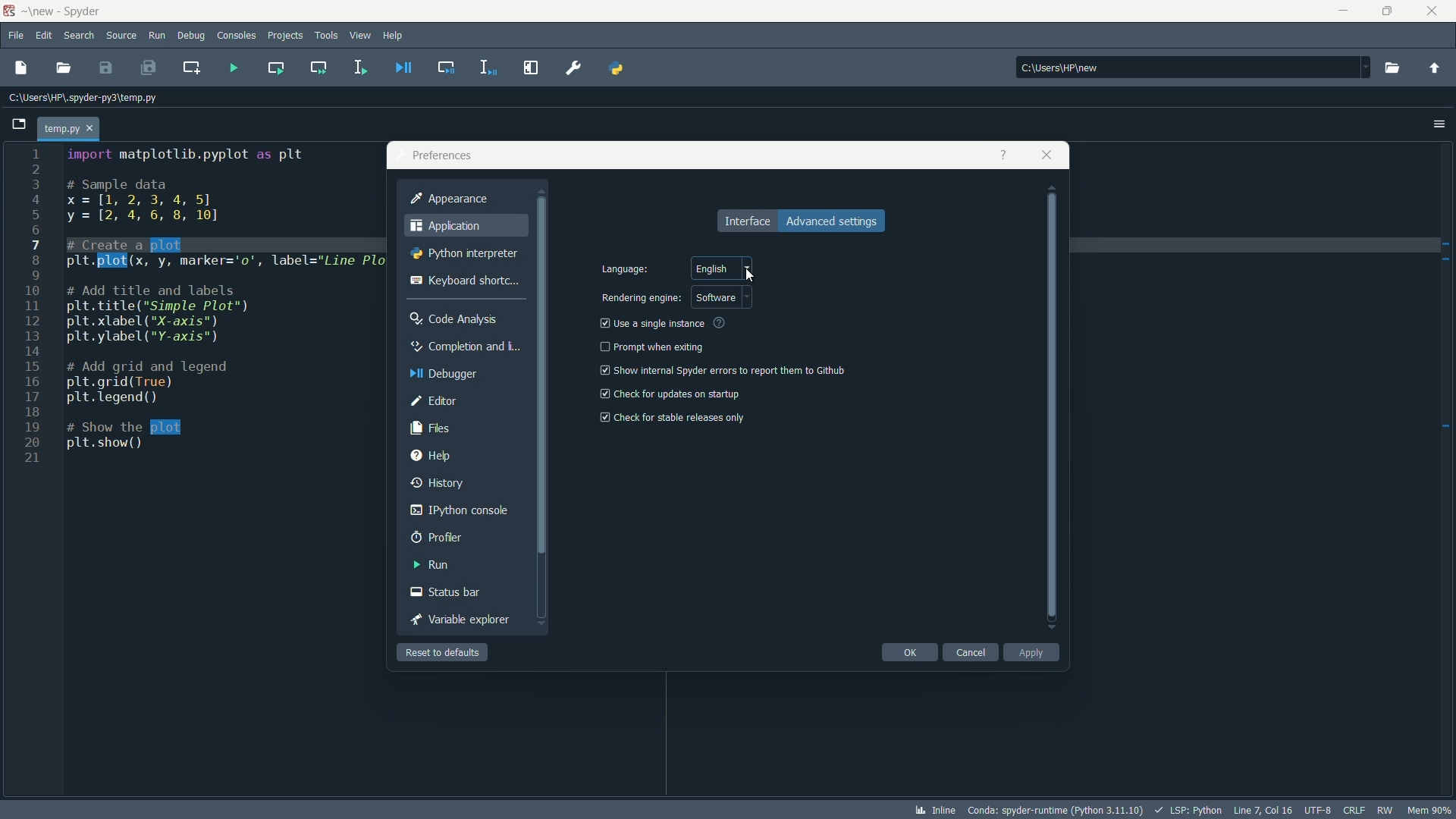  I want to click on new file, so click(21, 68).